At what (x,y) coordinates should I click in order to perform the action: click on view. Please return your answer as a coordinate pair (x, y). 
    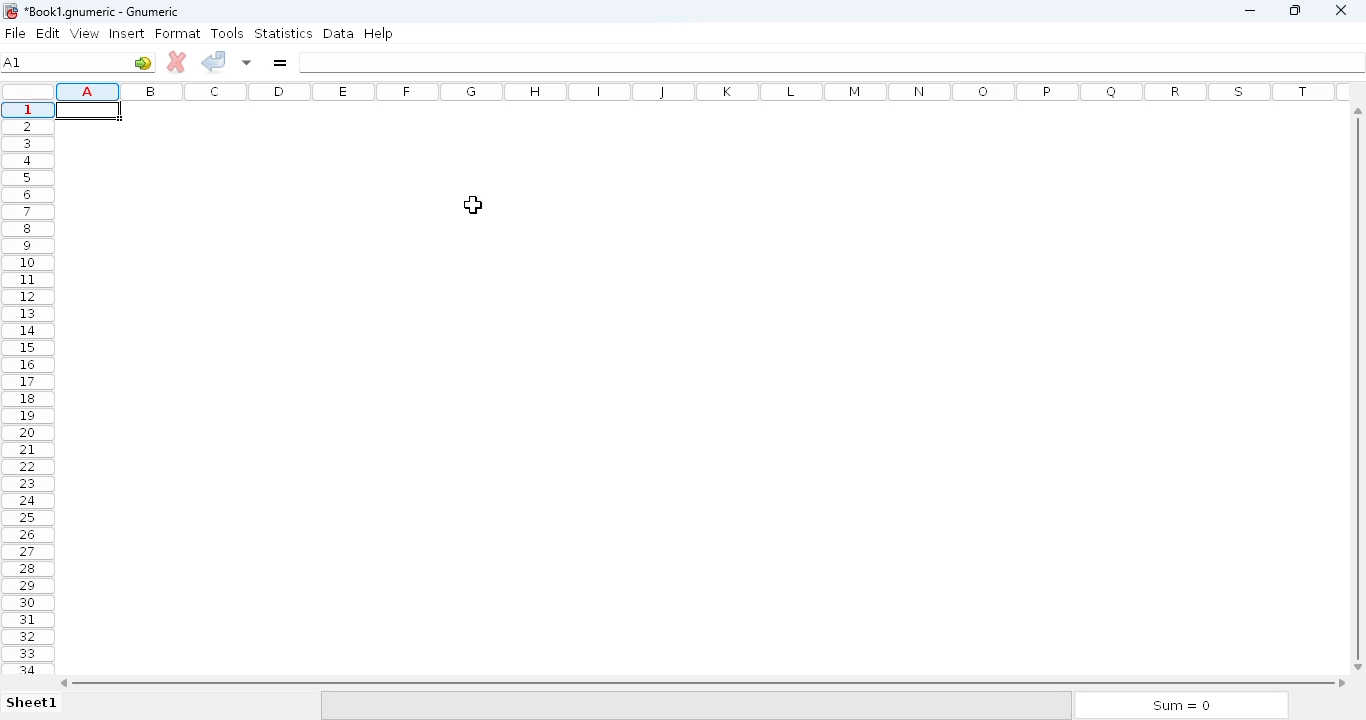
    Looking at the image, I should click on (84, 33).